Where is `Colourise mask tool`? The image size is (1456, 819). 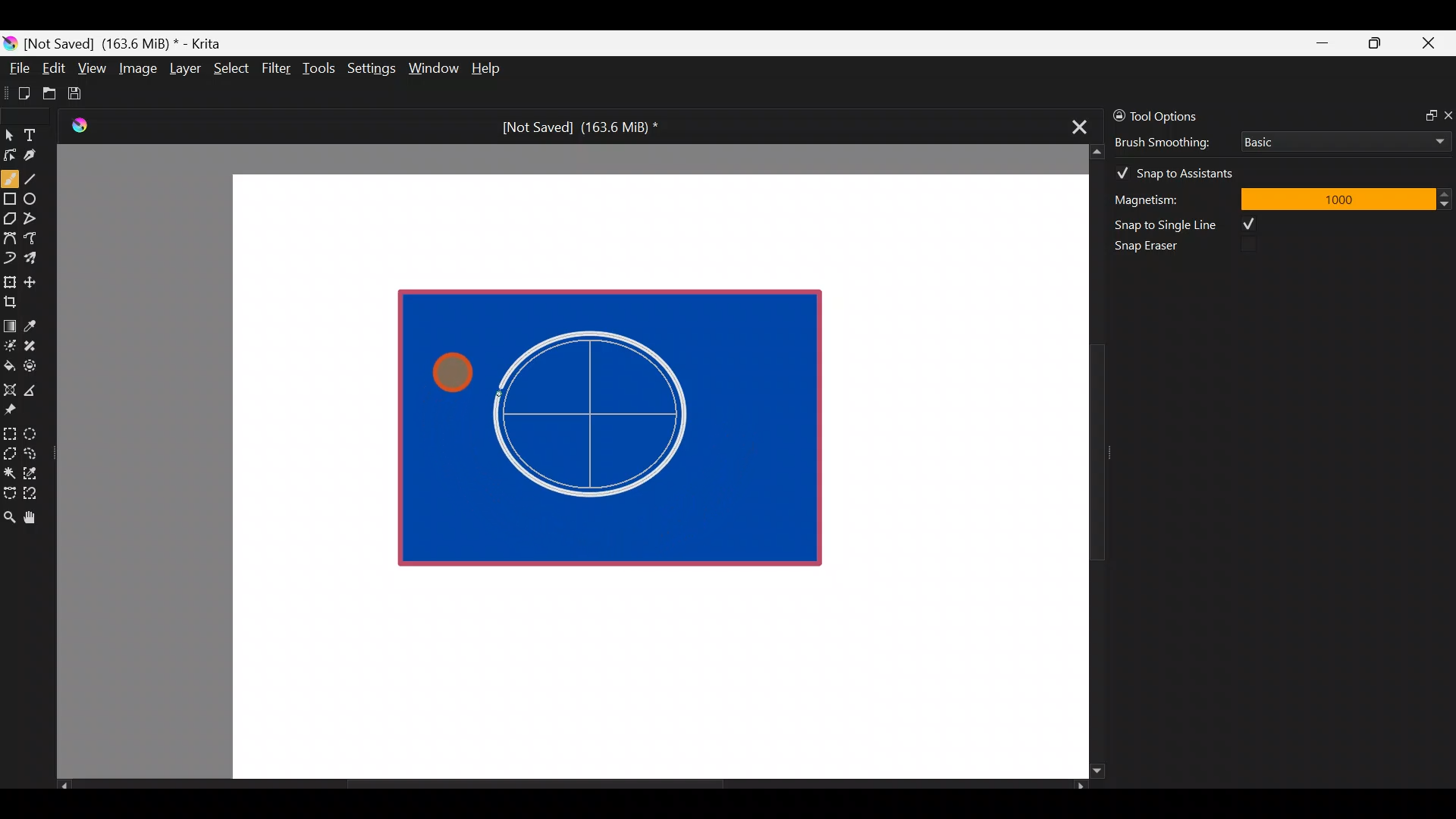
Colourise mask tool is located at coordinates (10, 344).